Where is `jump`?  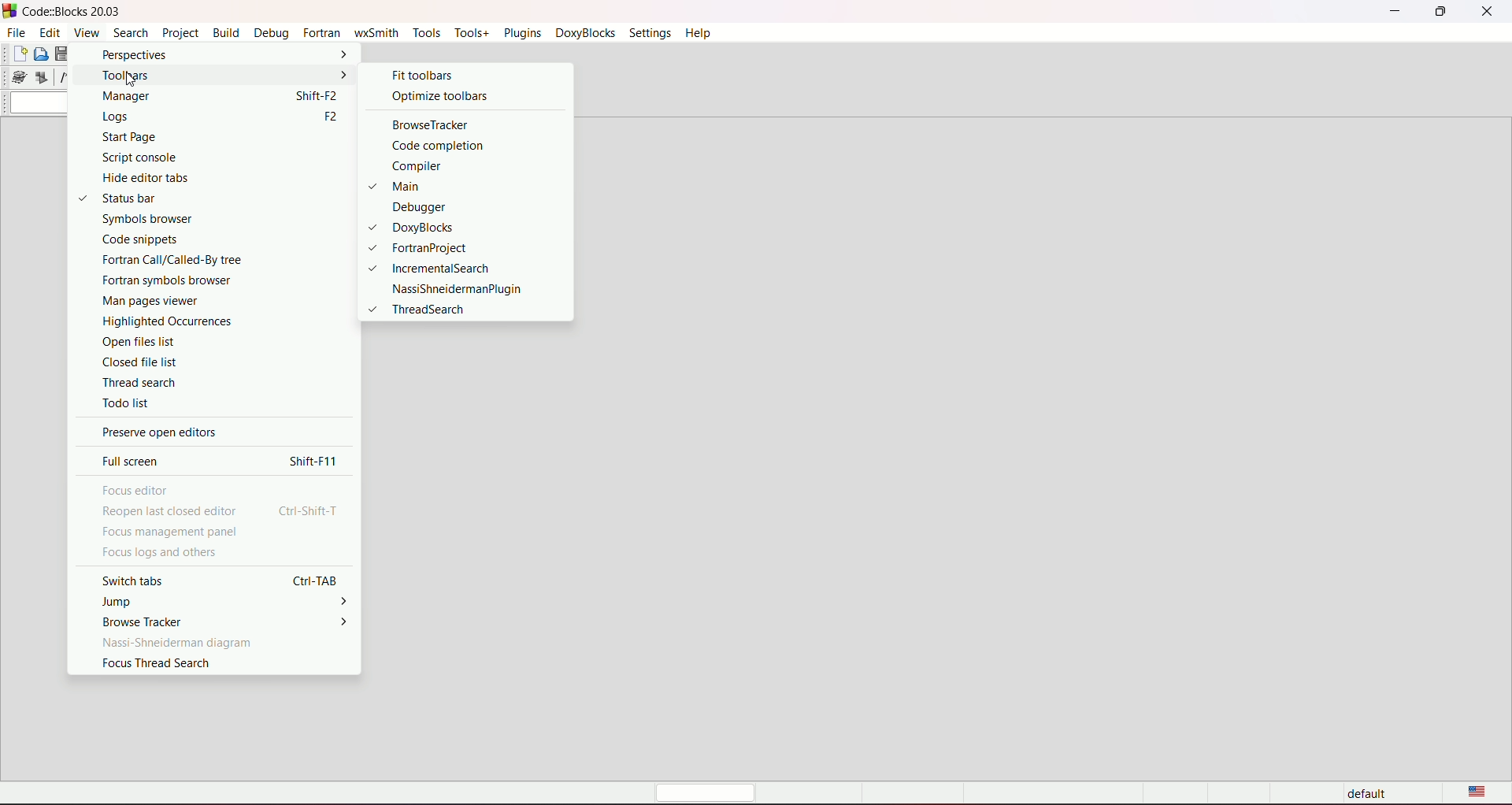
jump is located at coordinates (119, 602).